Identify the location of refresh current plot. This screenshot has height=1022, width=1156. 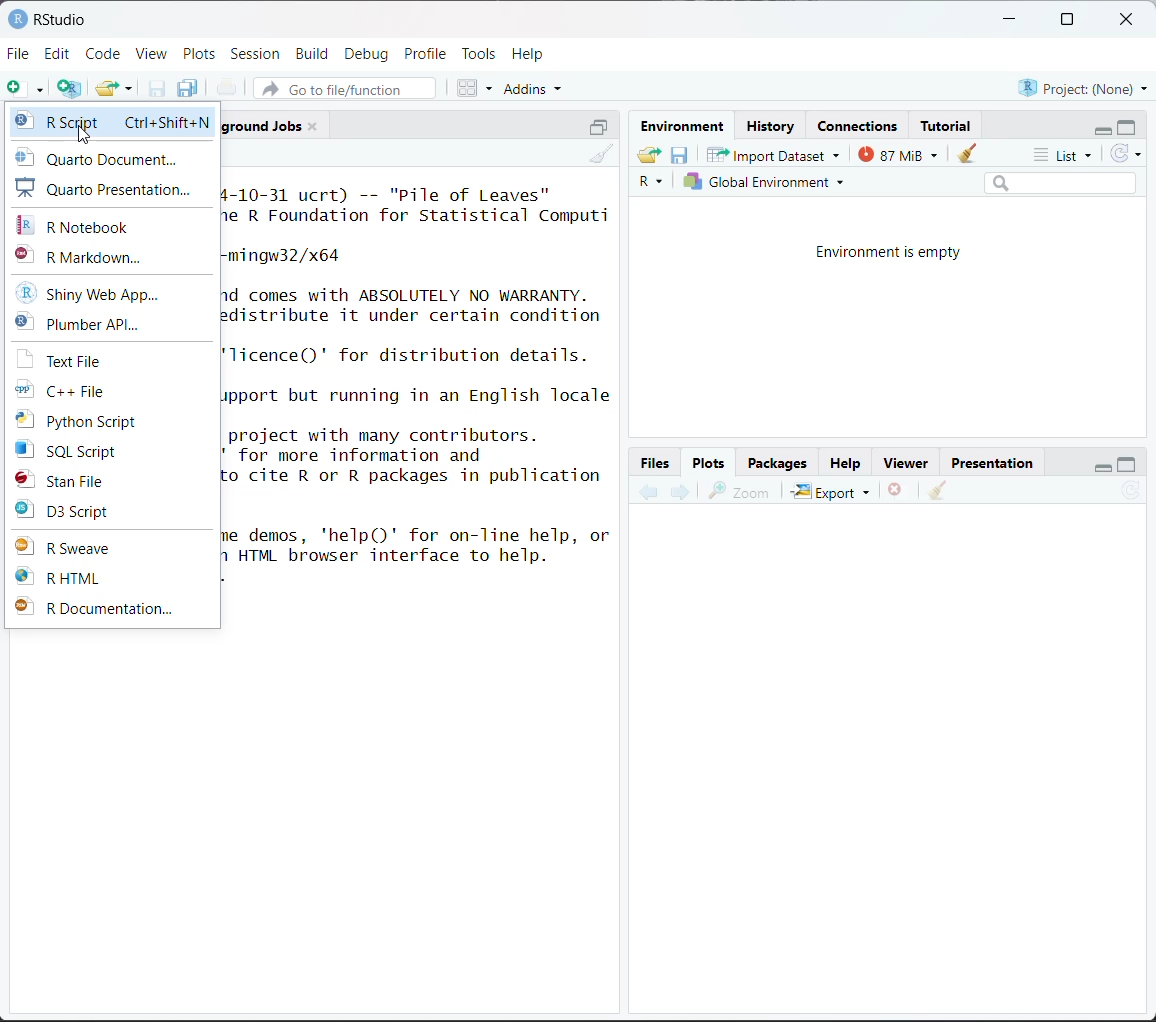
(1131, 493).